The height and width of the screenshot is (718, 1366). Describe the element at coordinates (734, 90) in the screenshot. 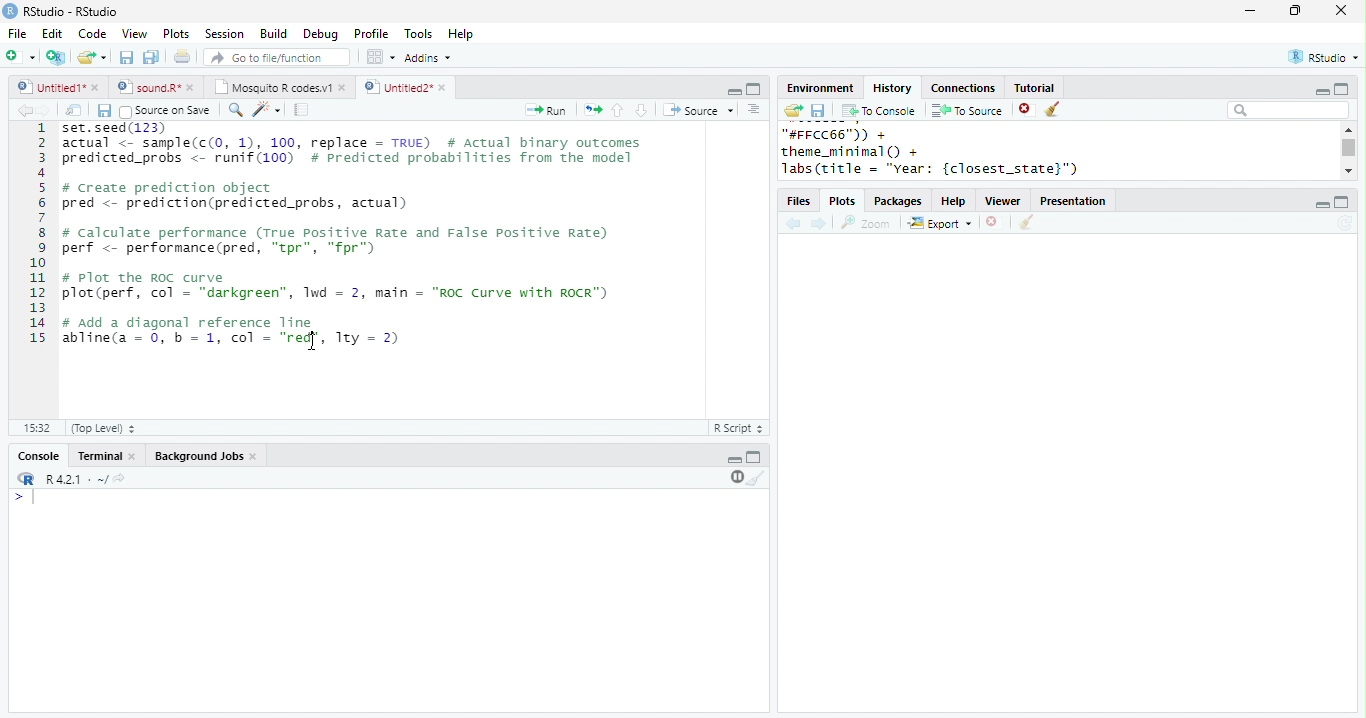

I see `minimize` at that location.